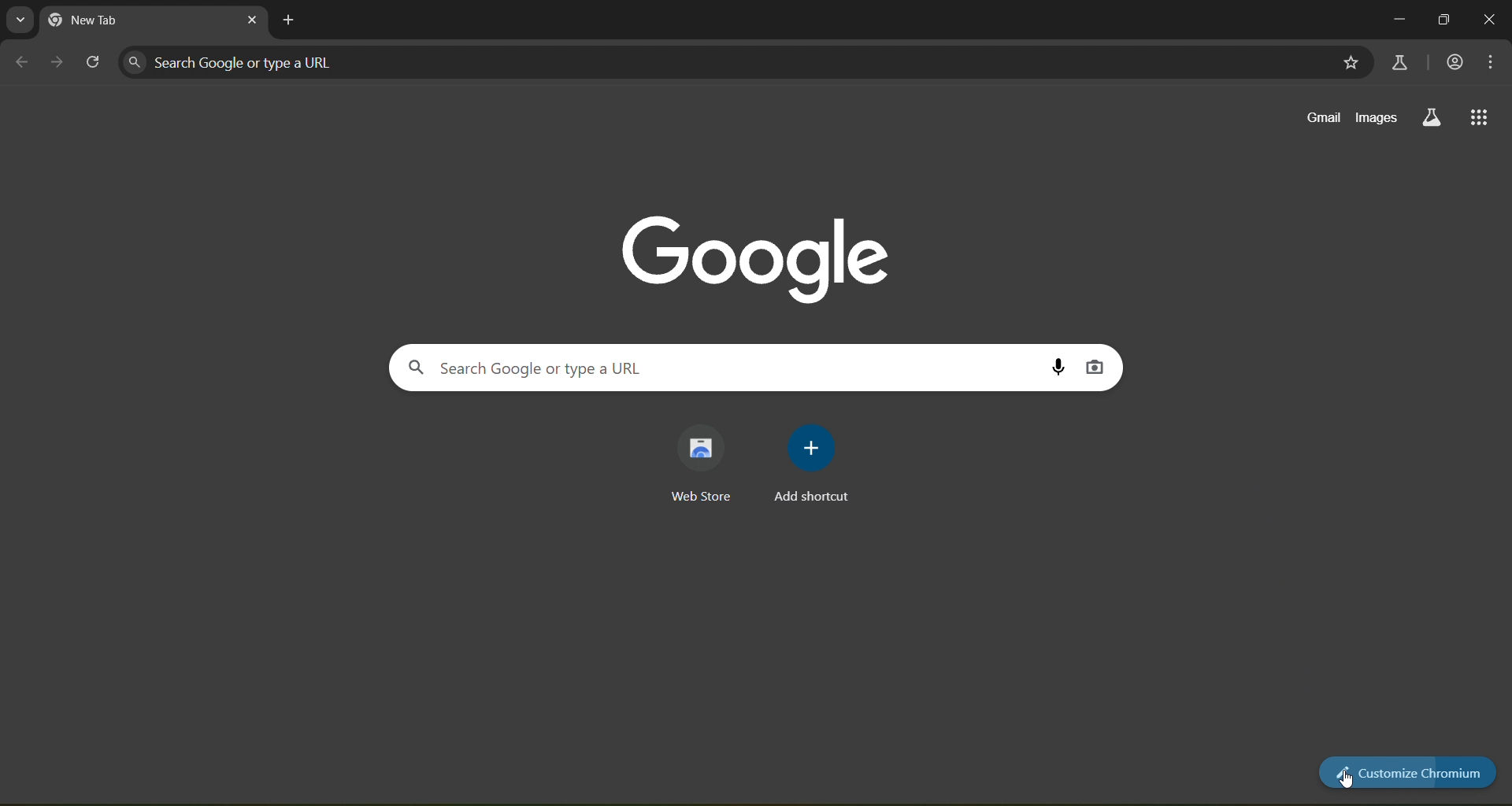 The height and width of the screenshot is (806, 1512). I want to click on gmail, so click(1325, 116).